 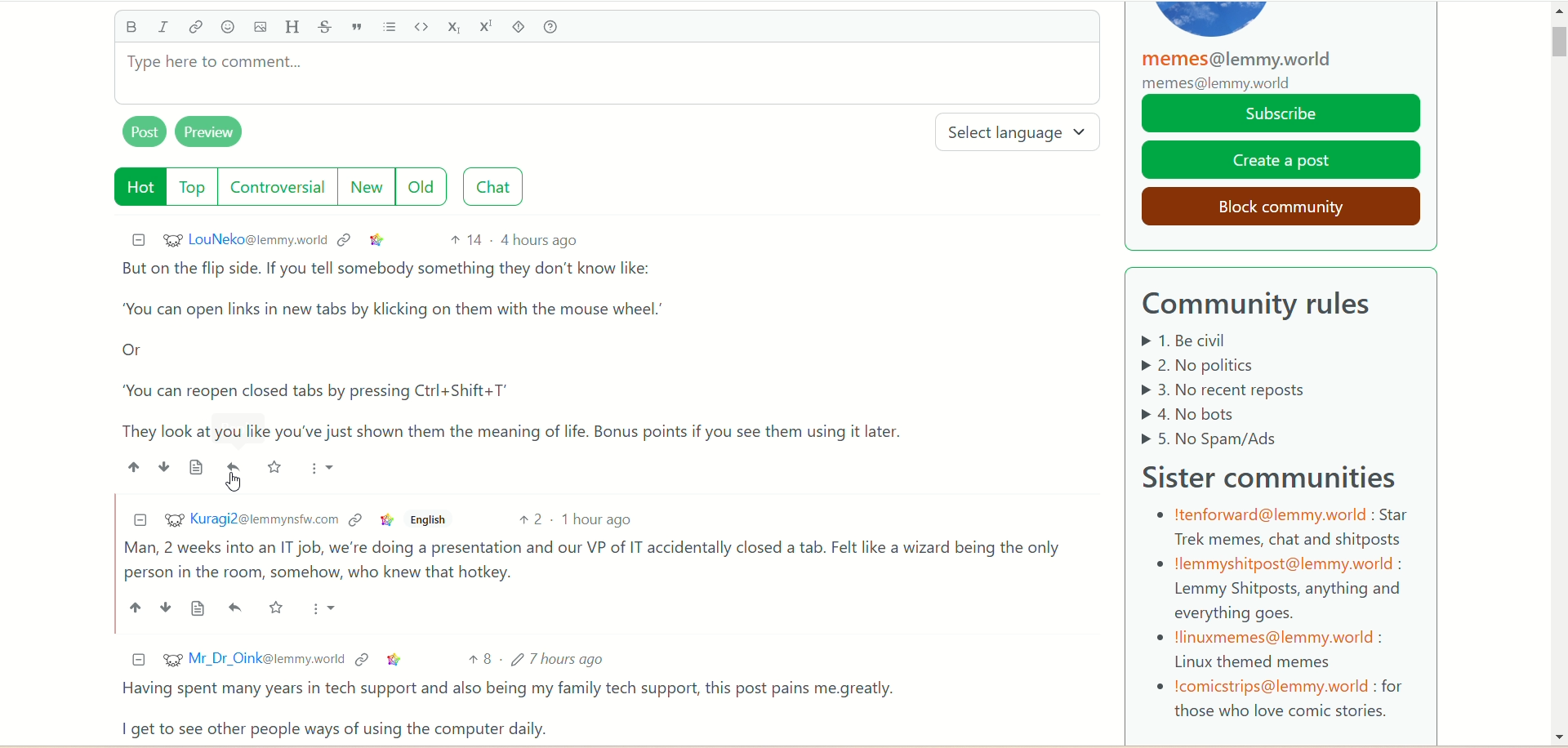 What do you see at coordinates (326, 609) in the screenshot?
I see `more` at bounding box center [326, 609].